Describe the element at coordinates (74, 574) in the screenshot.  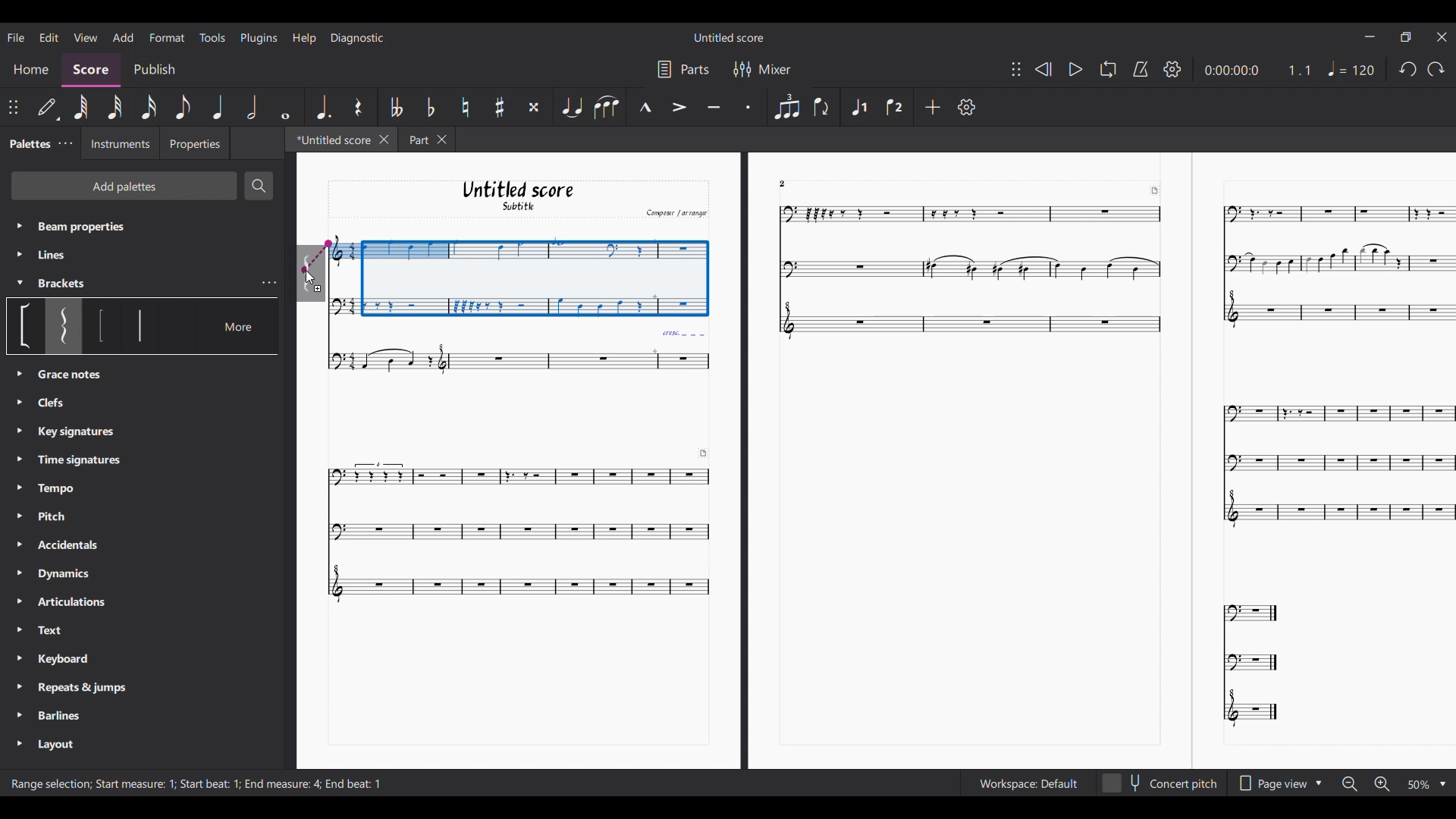
I see `Dynamics` at that location.